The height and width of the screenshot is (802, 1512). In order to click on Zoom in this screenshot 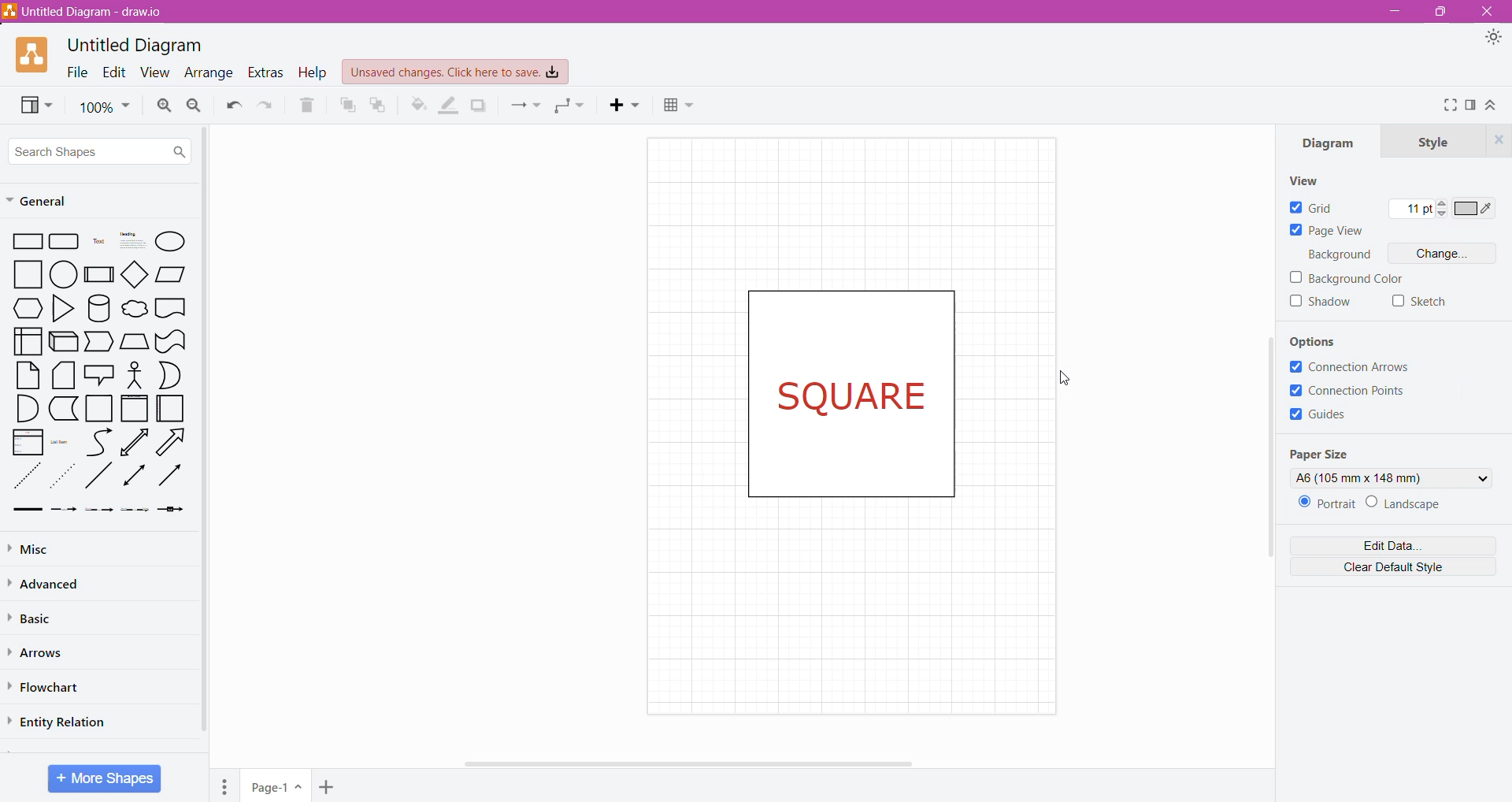, I will do `click(105, 102)`.